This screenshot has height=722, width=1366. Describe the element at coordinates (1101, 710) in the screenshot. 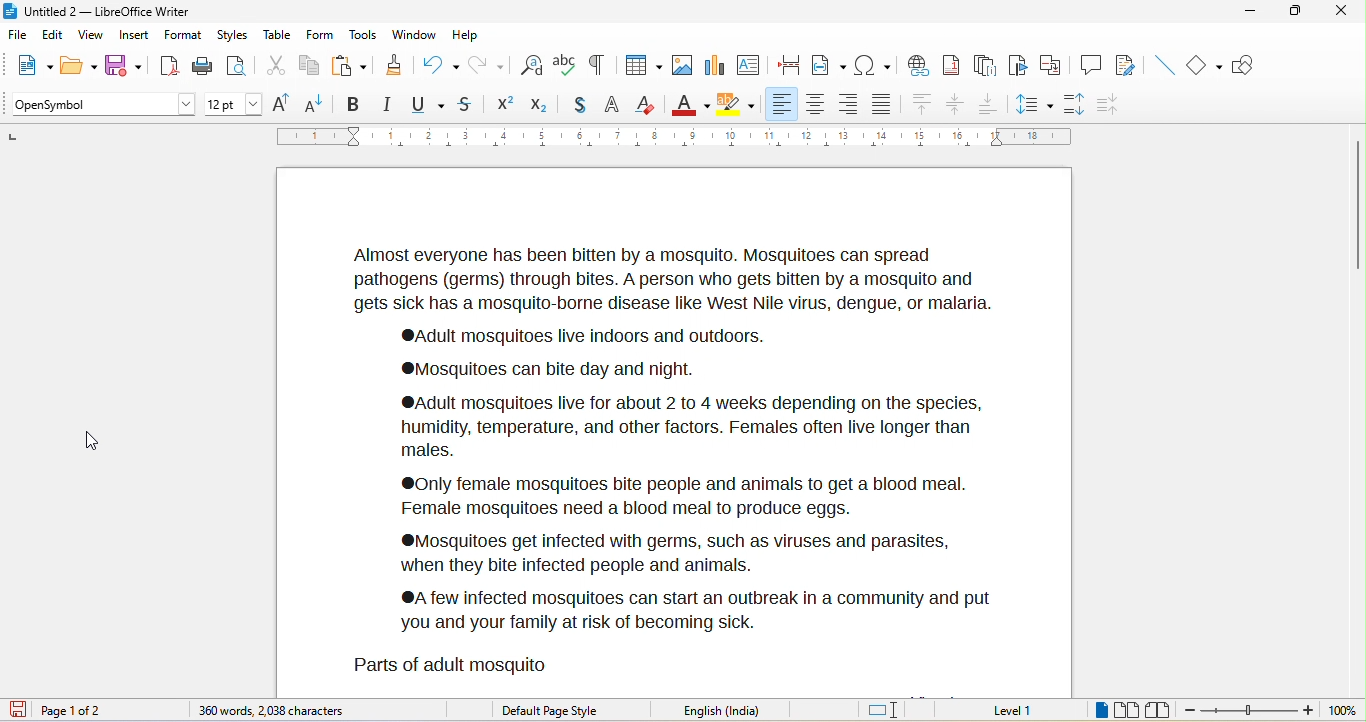

I see `single page view` at that location.